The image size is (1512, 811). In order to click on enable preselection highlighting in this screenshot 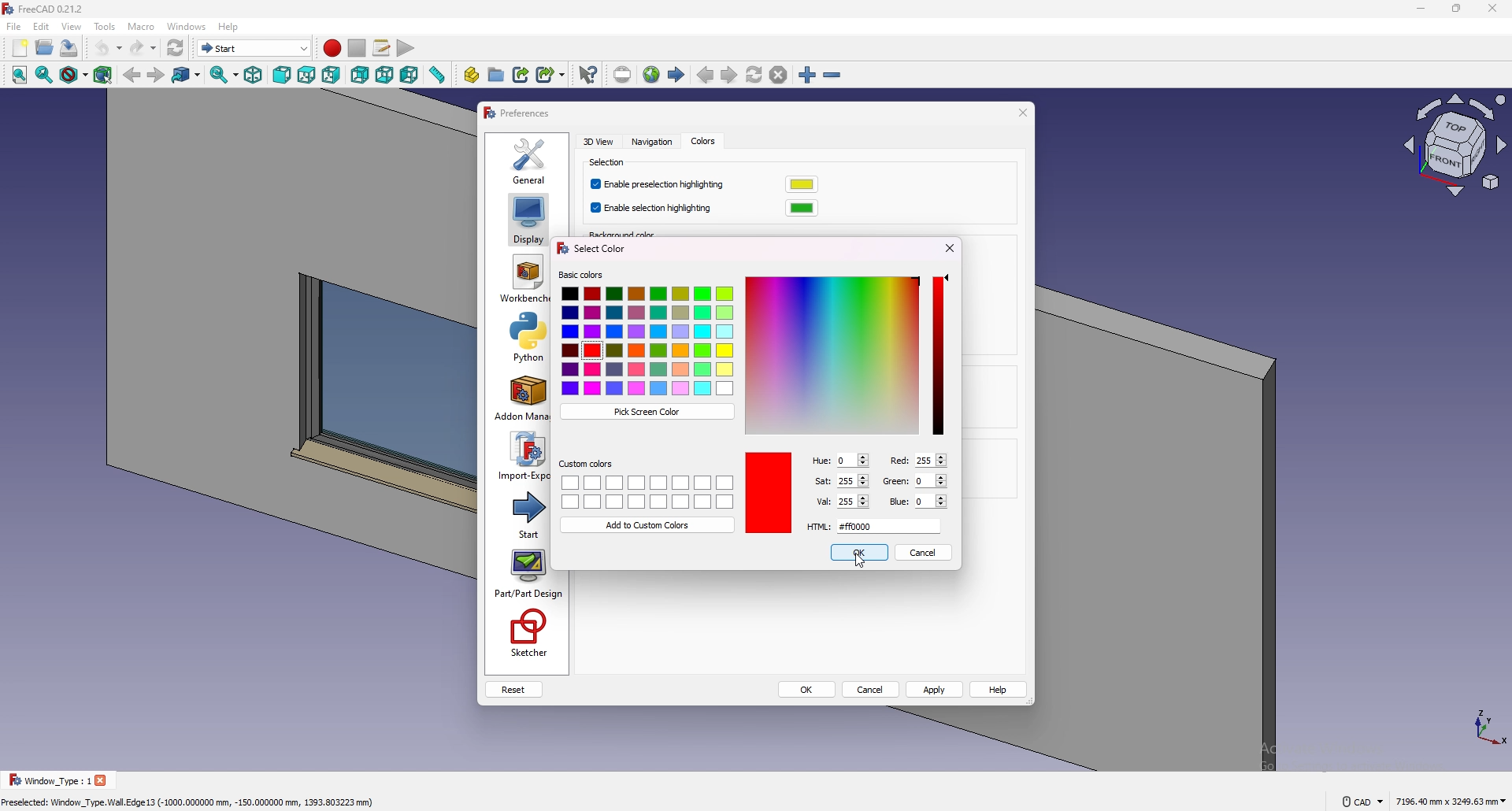, I will do `click(661, 185)`.